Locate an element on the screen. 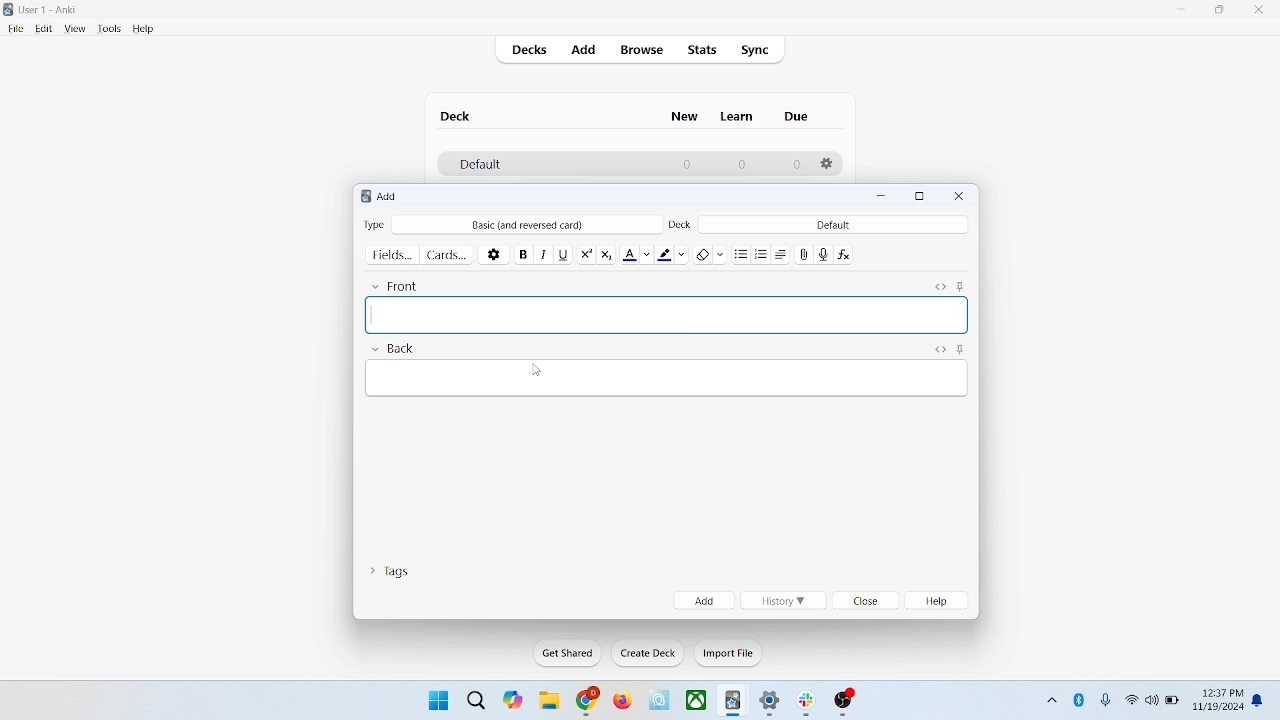 The height and width of the screenshot is (720, 1280). remove formatting is located at coordinates (711, 252).